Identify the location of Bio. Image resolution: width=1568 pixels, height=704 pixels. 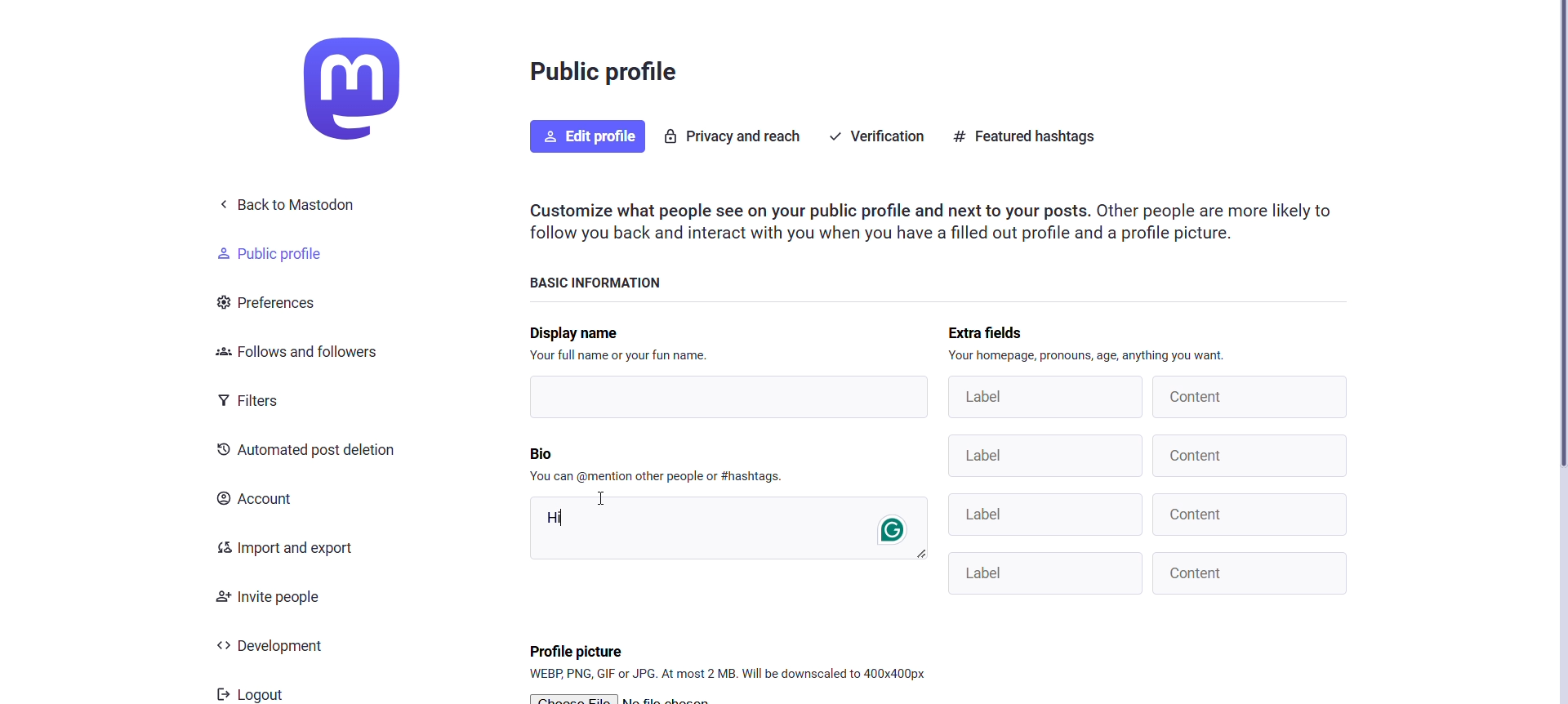
(555, 452).